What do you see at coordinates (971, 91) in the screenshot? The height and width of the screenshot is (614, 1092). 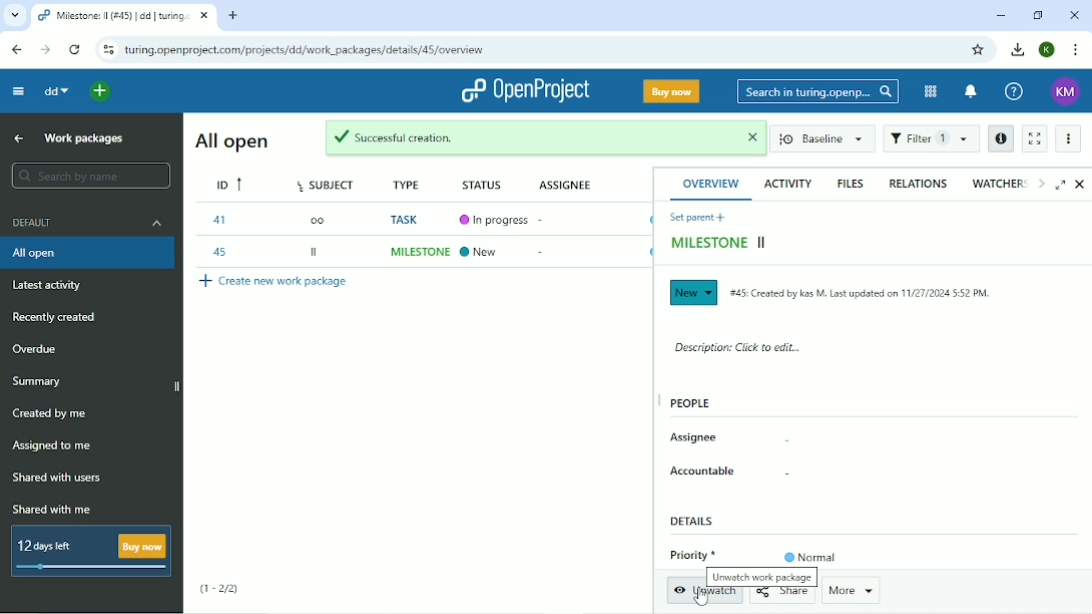 I see `To notification center` at bounding box center [971, 91].